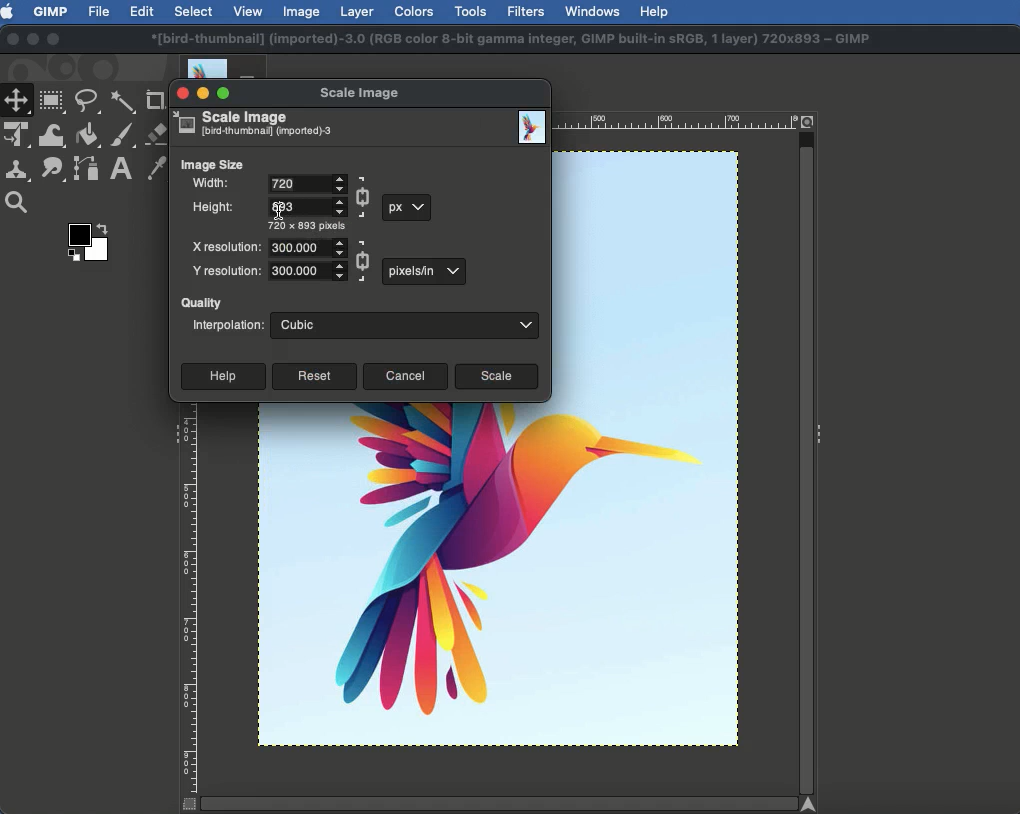 Image resolution: width=1020 pixels, height=814 pixels. I want to click on Scroll, so click(808, 459).